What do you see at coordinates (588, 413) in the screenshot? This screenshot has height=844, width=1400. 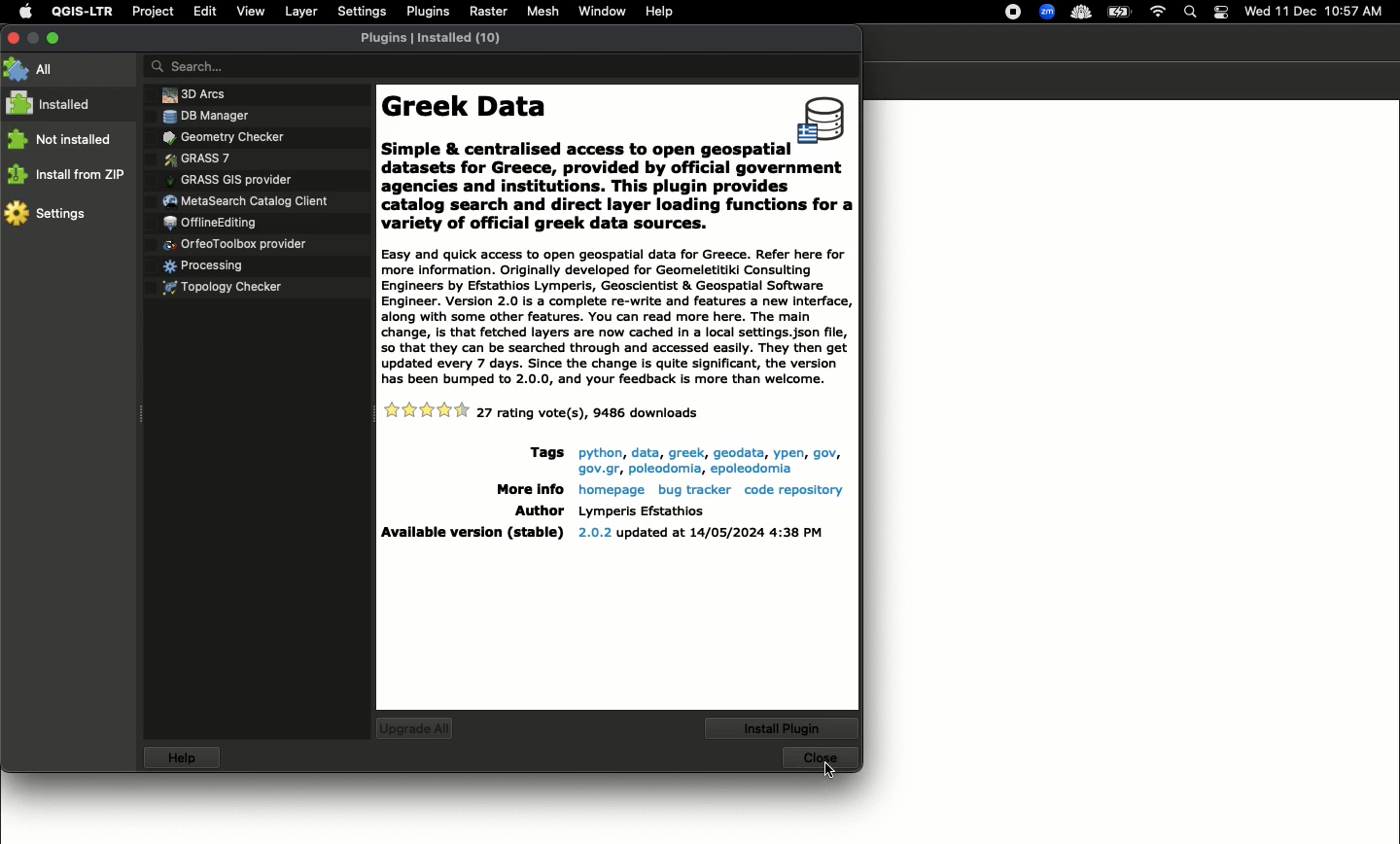 I see `Details` at bounding box center [588, 413].